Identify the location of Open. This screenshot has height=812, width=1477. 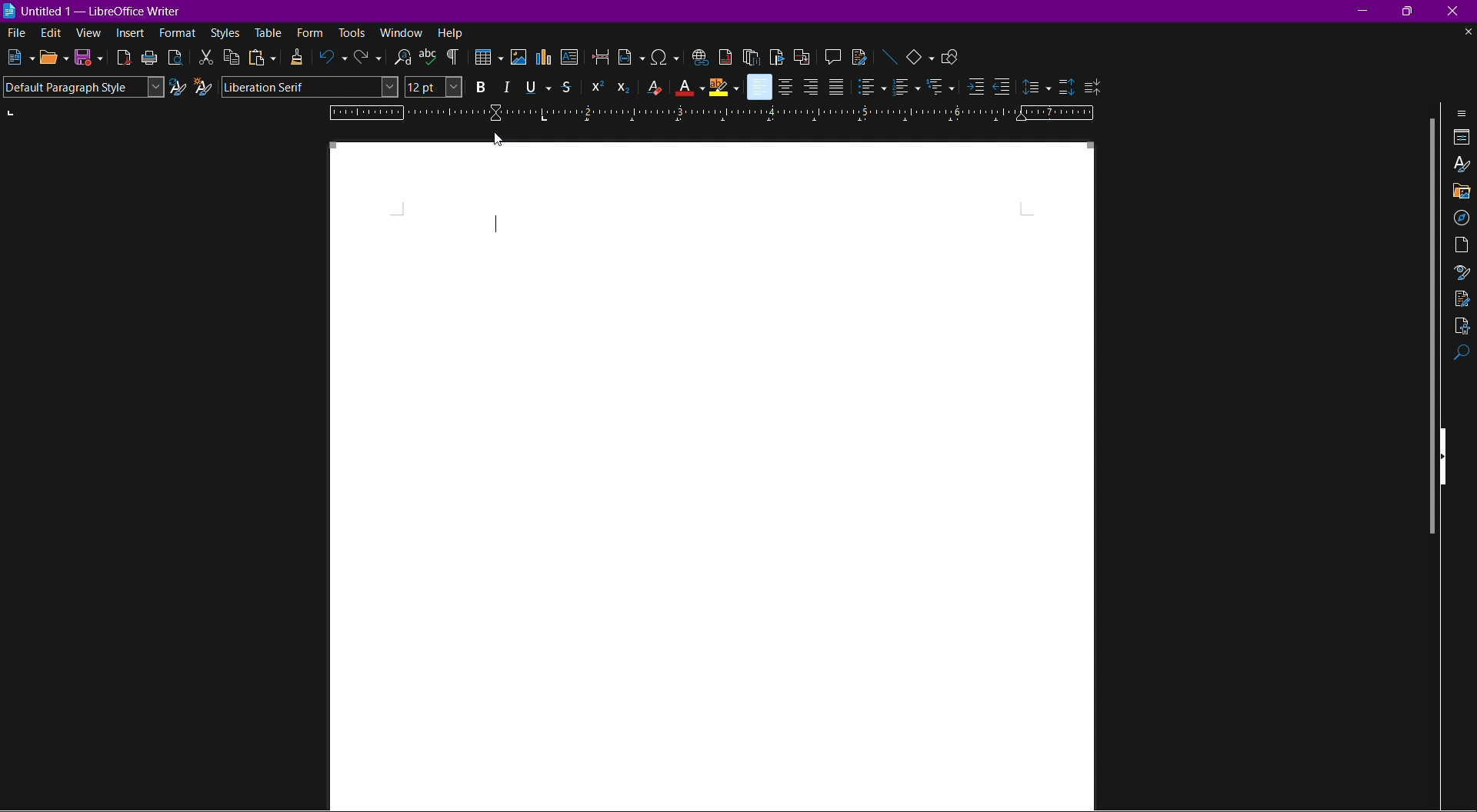
(54, 58).